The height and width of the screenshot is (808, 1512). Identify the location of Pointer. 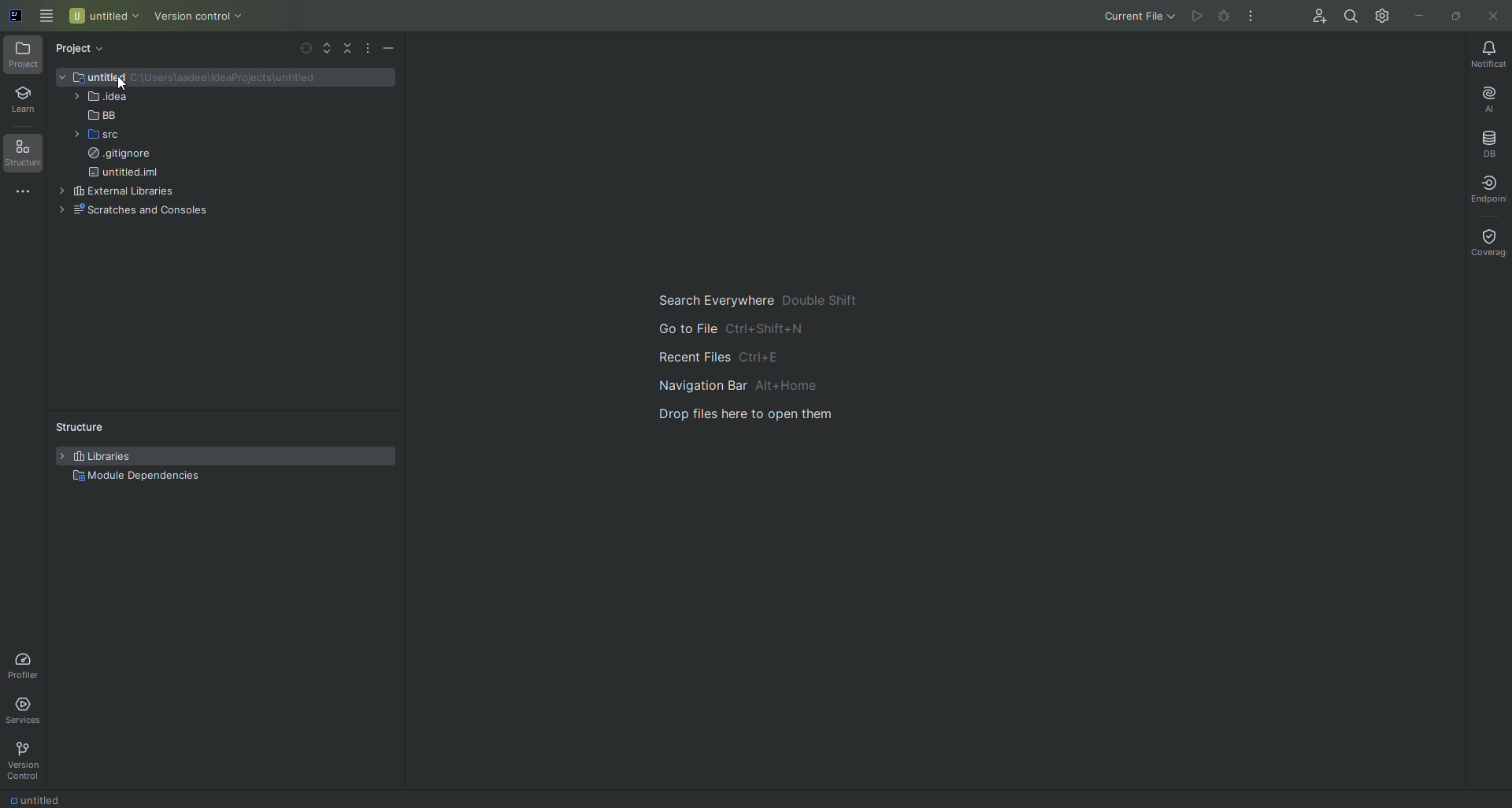
(124, 85).